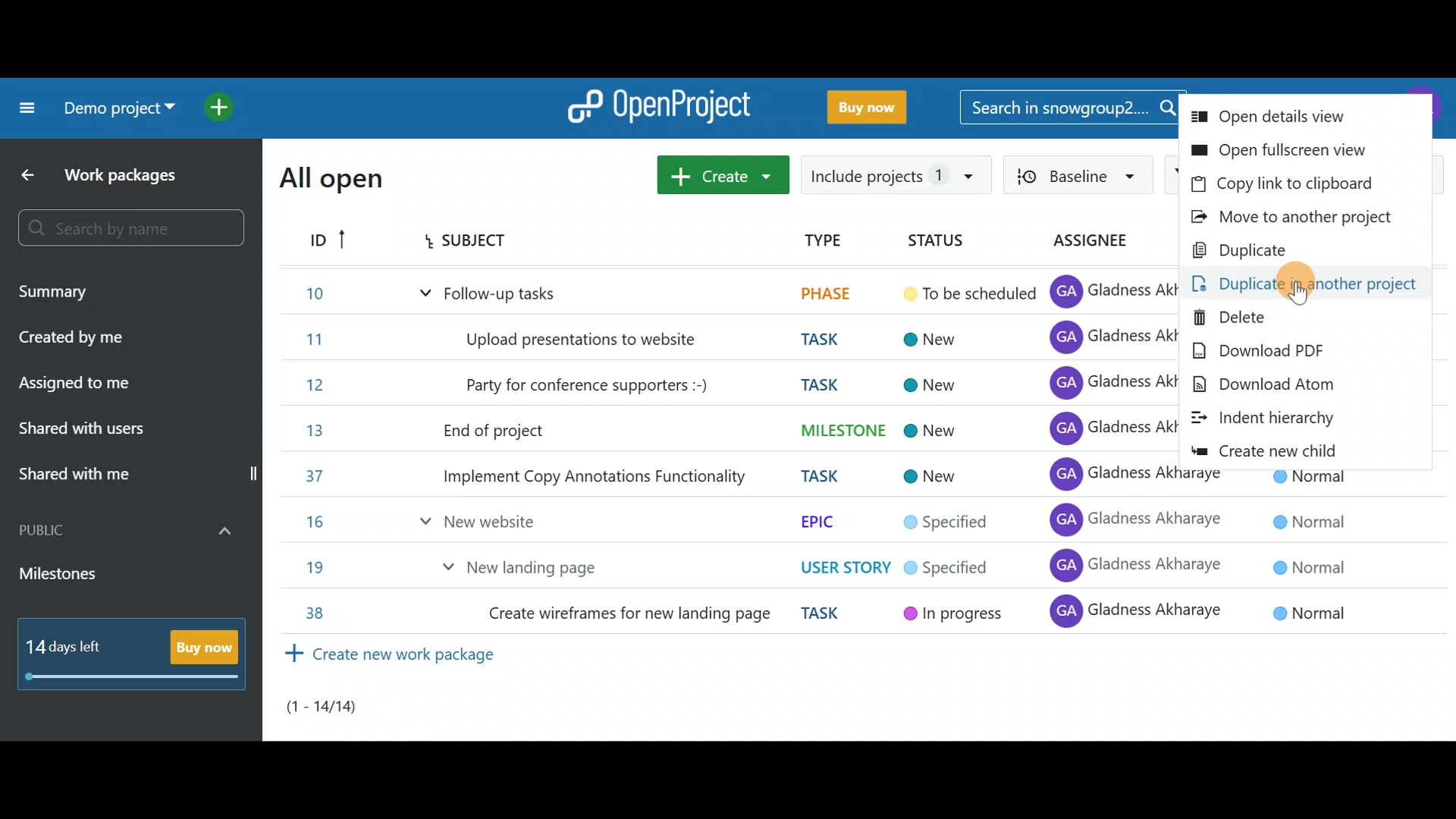  Describe the element at coordinates (934, 240) in the screenshot. I see `Status` at that location.